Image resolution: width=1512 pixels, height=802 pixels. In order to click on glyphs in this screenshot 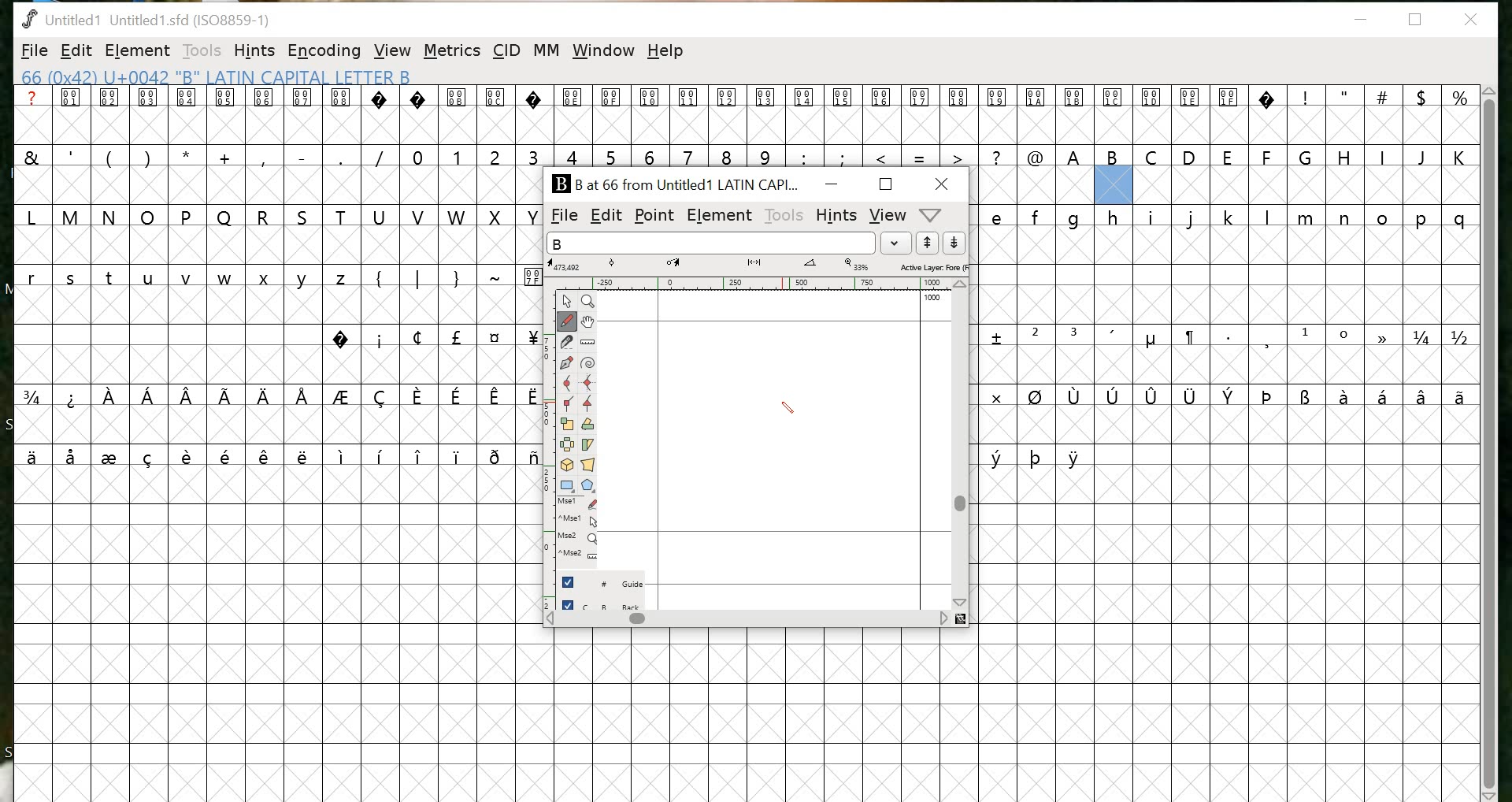, I will do `click(270, 284)`.